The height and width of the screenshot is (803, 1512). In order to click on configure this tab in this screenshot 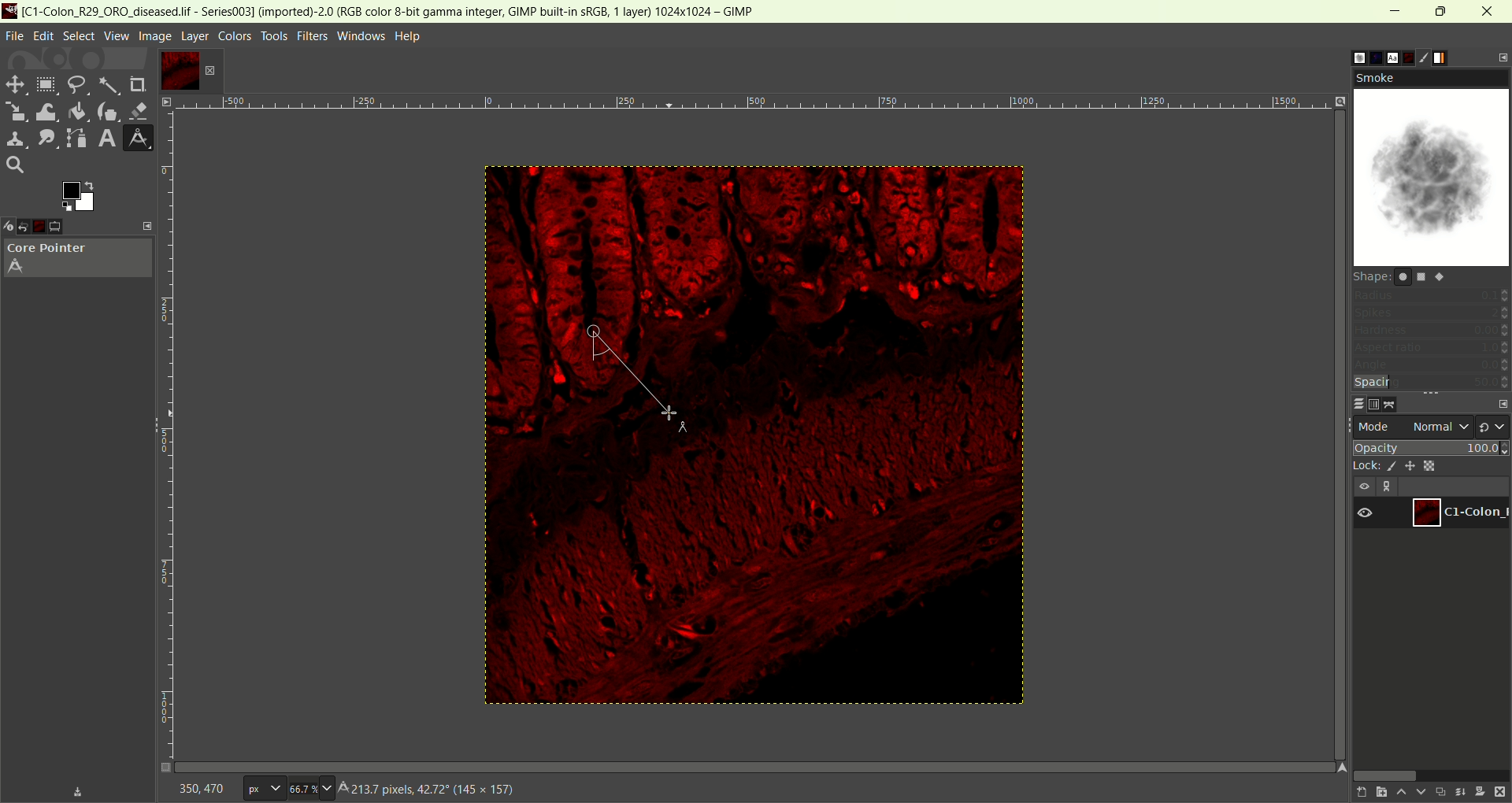, I will do `click(1500, 58)`.